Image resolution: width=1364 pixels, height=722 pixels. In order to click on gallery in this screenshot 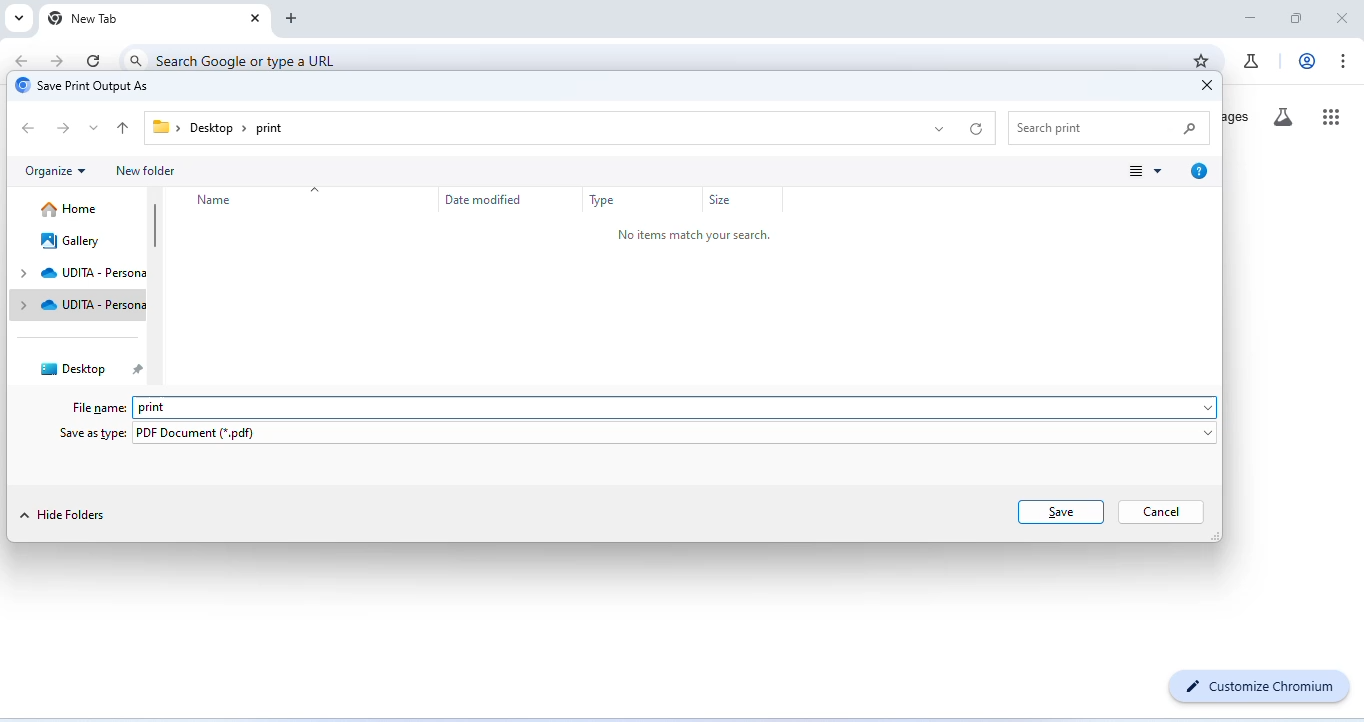, I will do `click(73, 240)`.